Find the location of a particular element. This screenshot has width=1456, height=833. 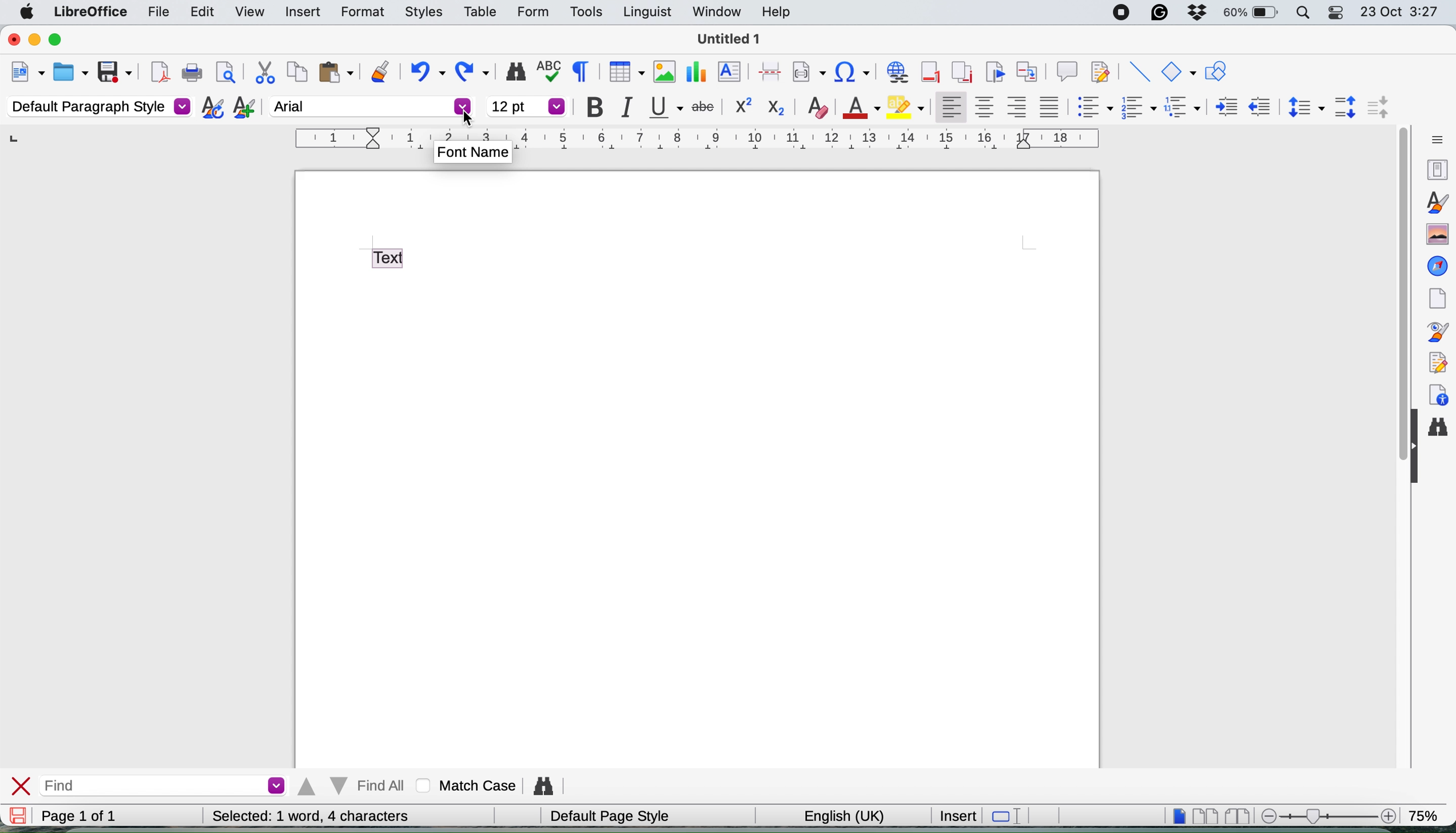

decrease indent is located at coordinates (1258, 107).